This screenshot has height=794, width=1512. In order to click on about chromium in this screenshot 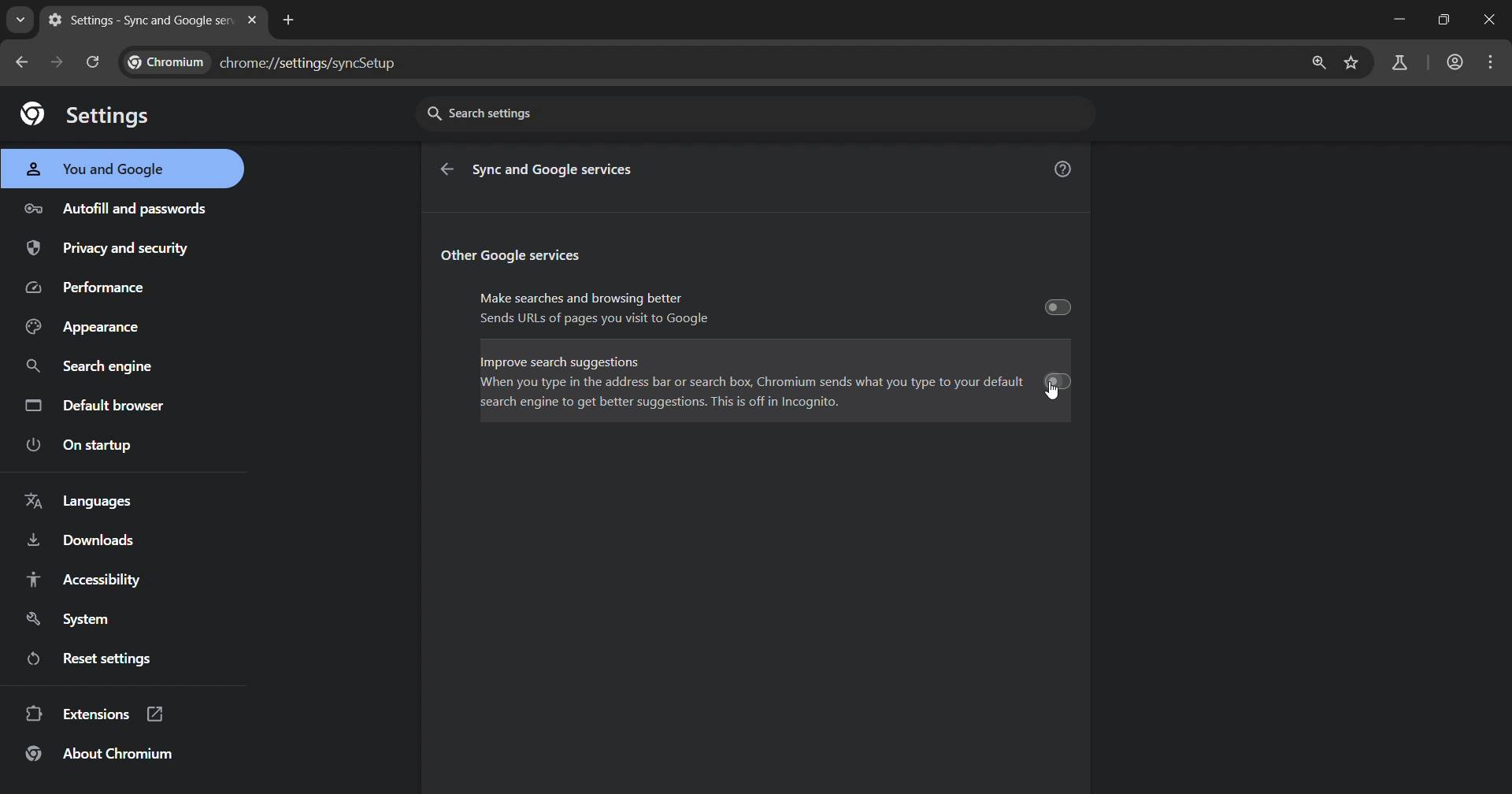, I will do `click(103, 755)`.